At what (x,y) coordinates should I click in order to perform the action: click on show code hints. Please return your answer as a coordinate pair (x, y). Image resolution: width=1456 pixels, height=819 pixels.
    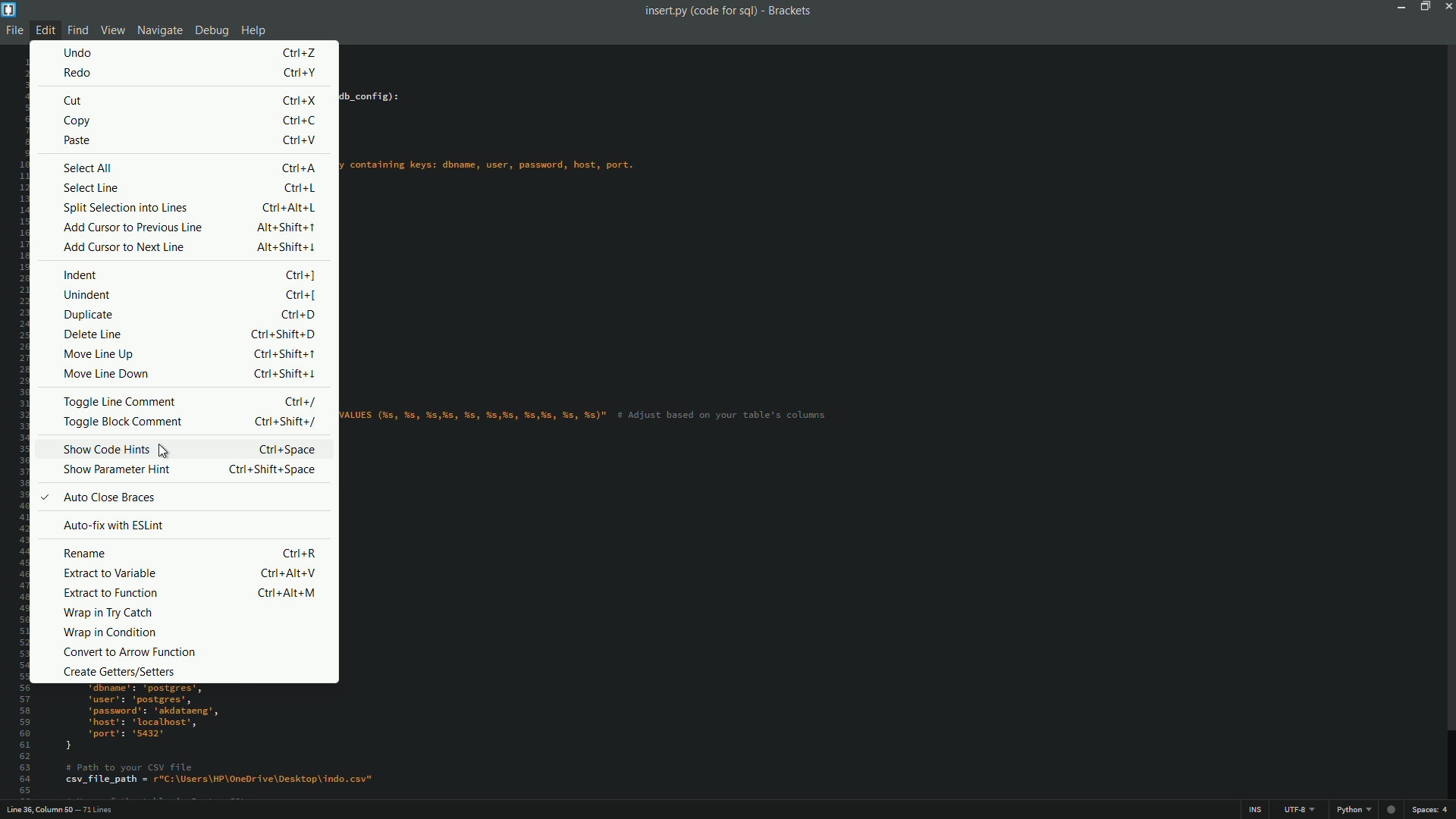
    Looking at the image, I should click on (105, 450).